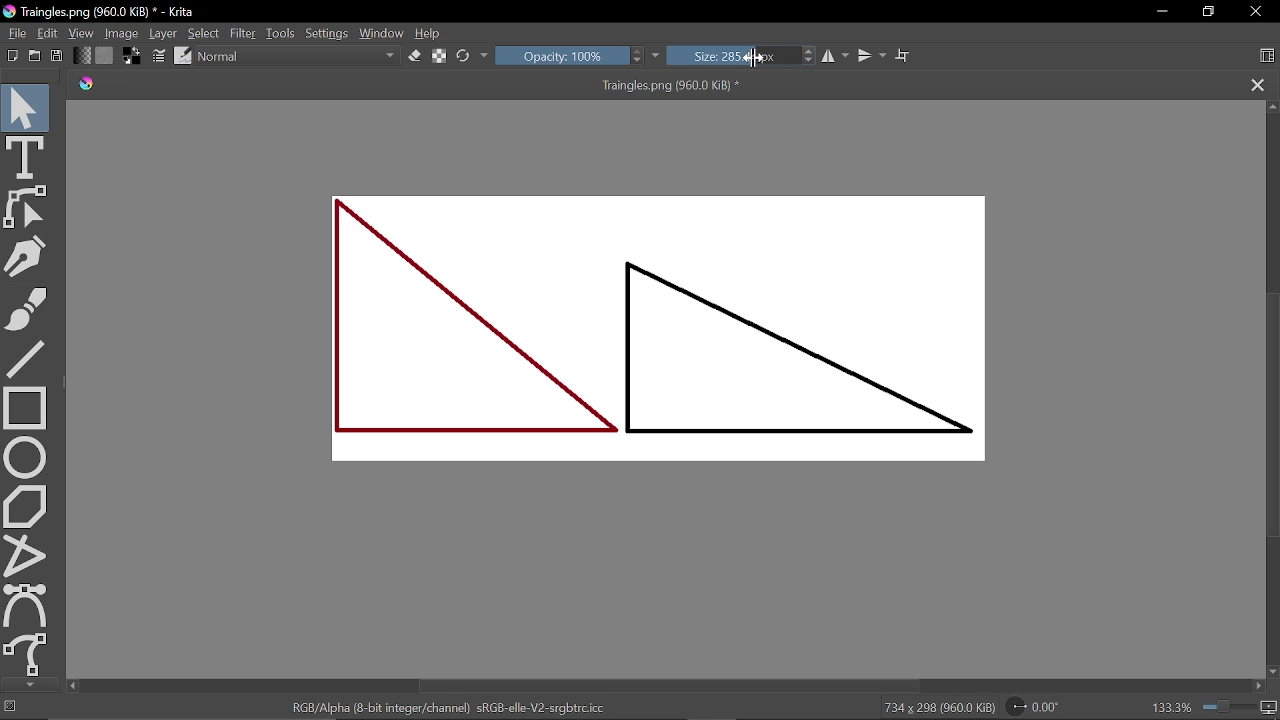 This screenshot has height=720, width=1280. Describe the element at coordinates (82, 56) in the screenshot. I see `Fill gradient` at that location.